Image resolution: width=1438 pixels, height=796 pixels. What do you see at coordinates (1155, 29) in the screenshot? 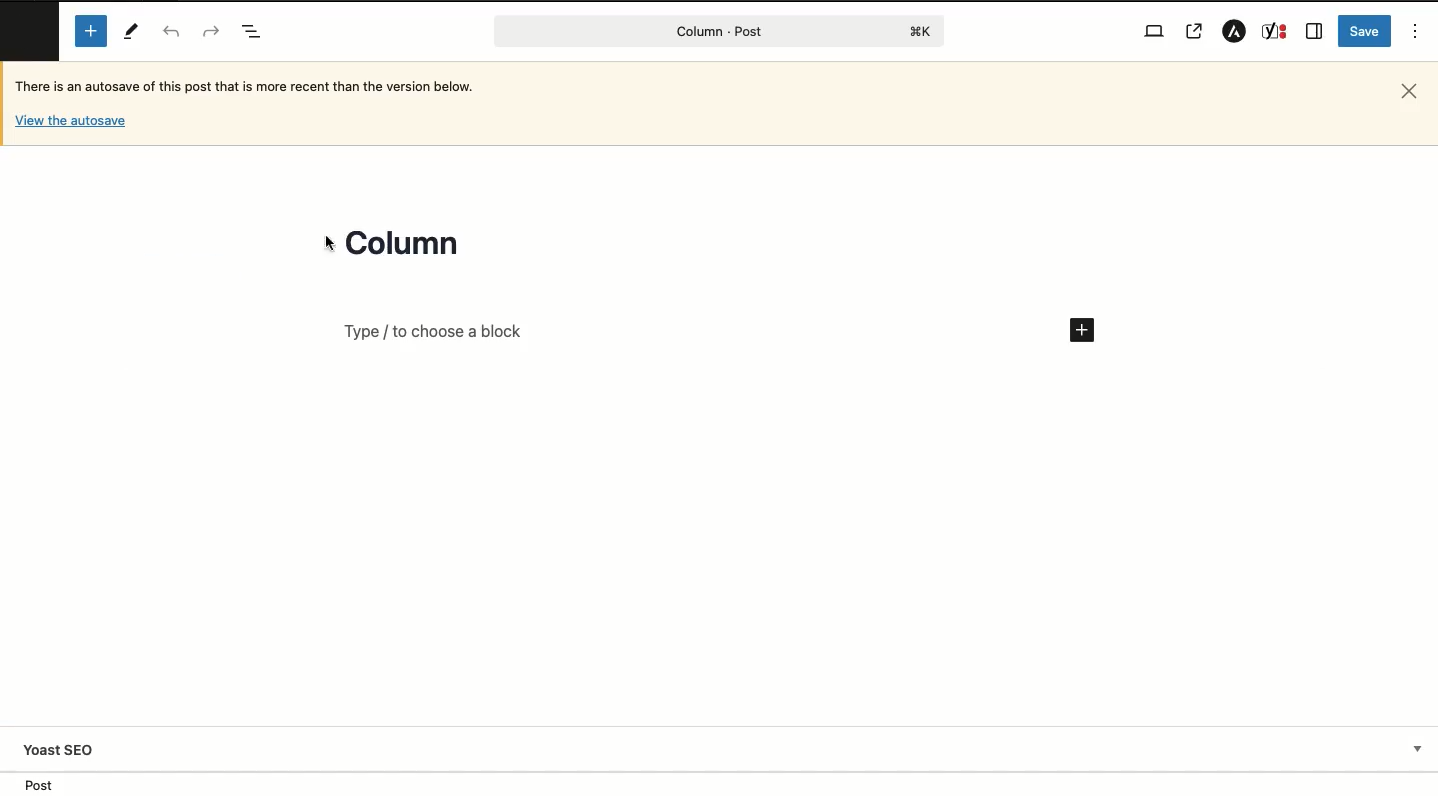
I see `View` at bounding box center [1155, 29].